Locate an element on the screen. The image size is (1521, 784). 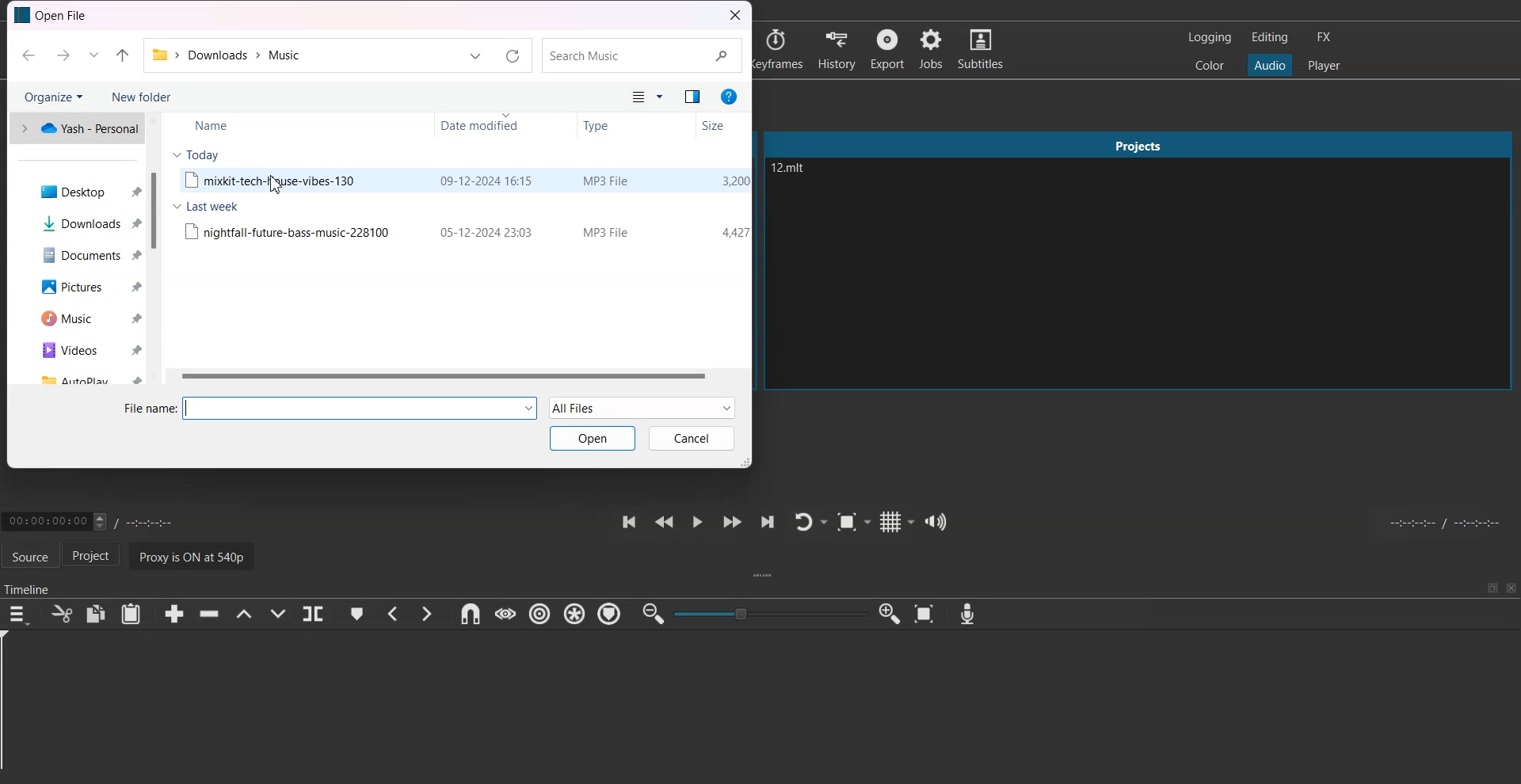
Toggle Zoom is located at coordinates (855, 523).